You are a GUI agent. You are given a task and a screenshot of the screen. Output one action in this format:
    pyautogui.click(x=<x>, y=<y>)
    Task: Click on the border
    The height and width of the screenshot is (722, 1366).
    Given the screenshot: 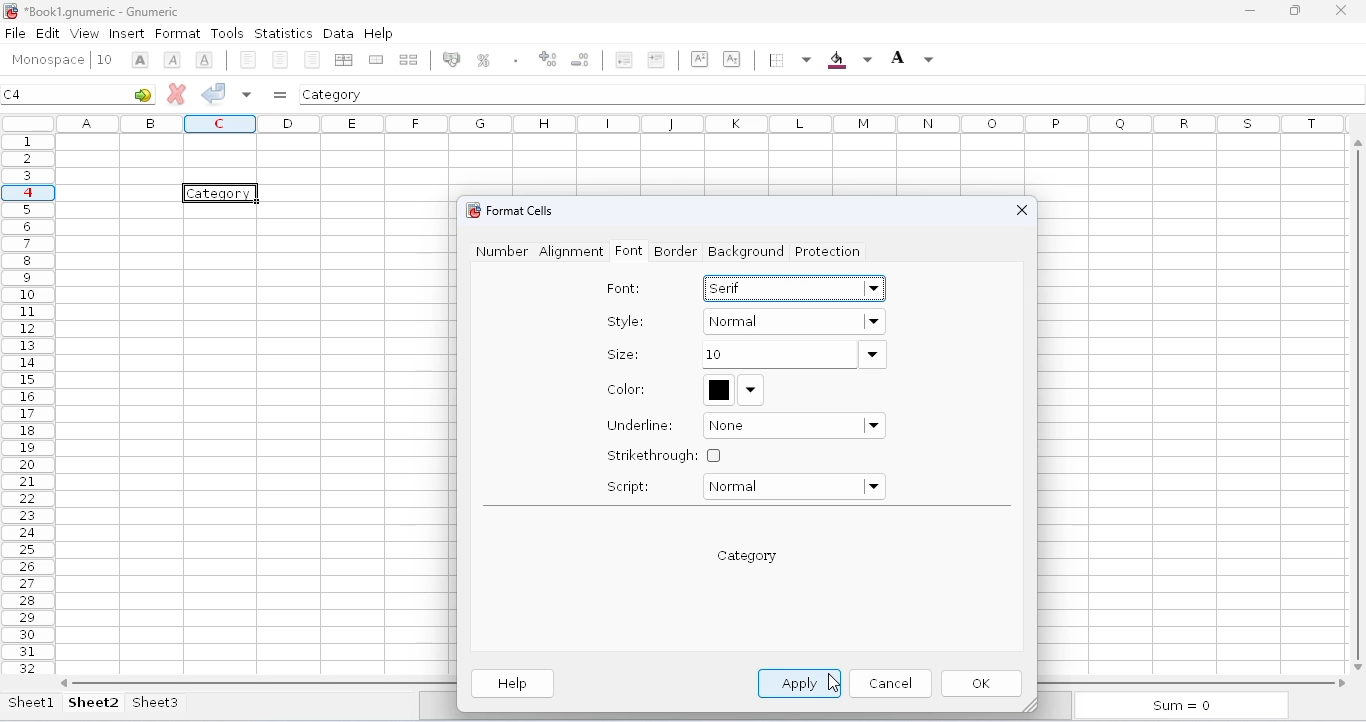 What is the action you would take?
    pyautogui.click(x=675, y=251)
    